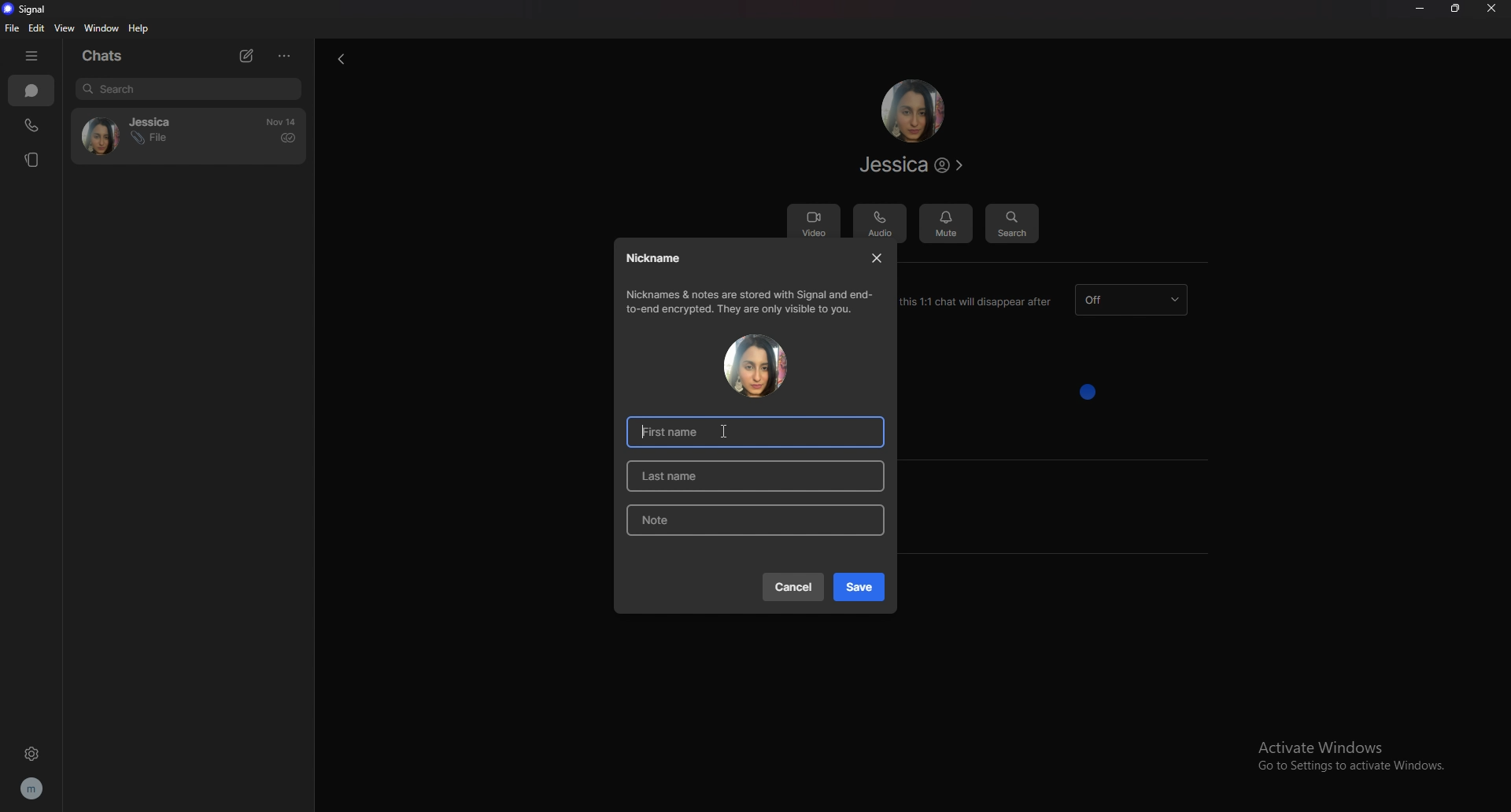 This screenshot has height=812, width=1511. What do you see at coordinates (102, 28) in the screenshot?
I see `window` at bounding box center [102, 28].